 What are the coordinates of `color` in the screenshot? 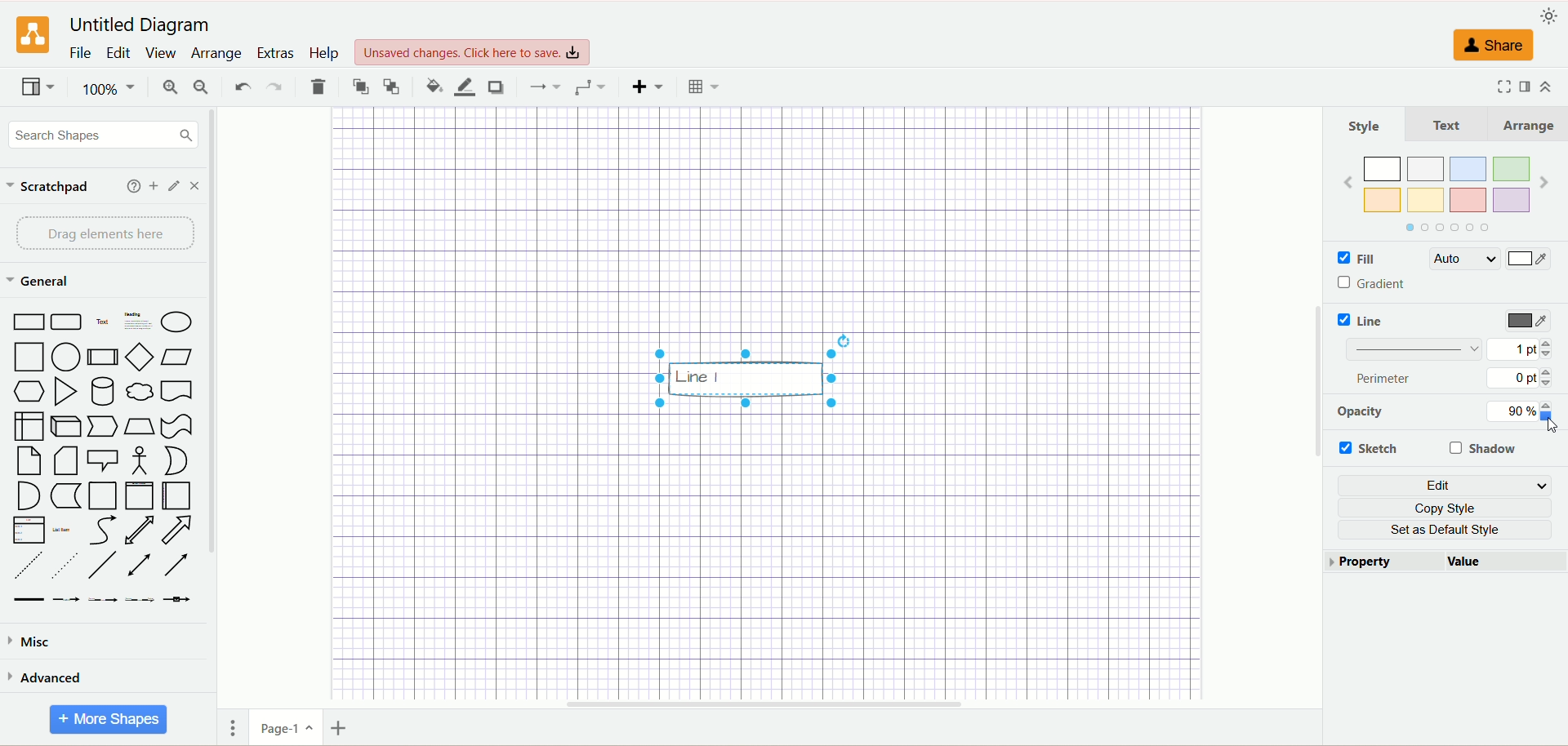 It's located at (1530, 322).